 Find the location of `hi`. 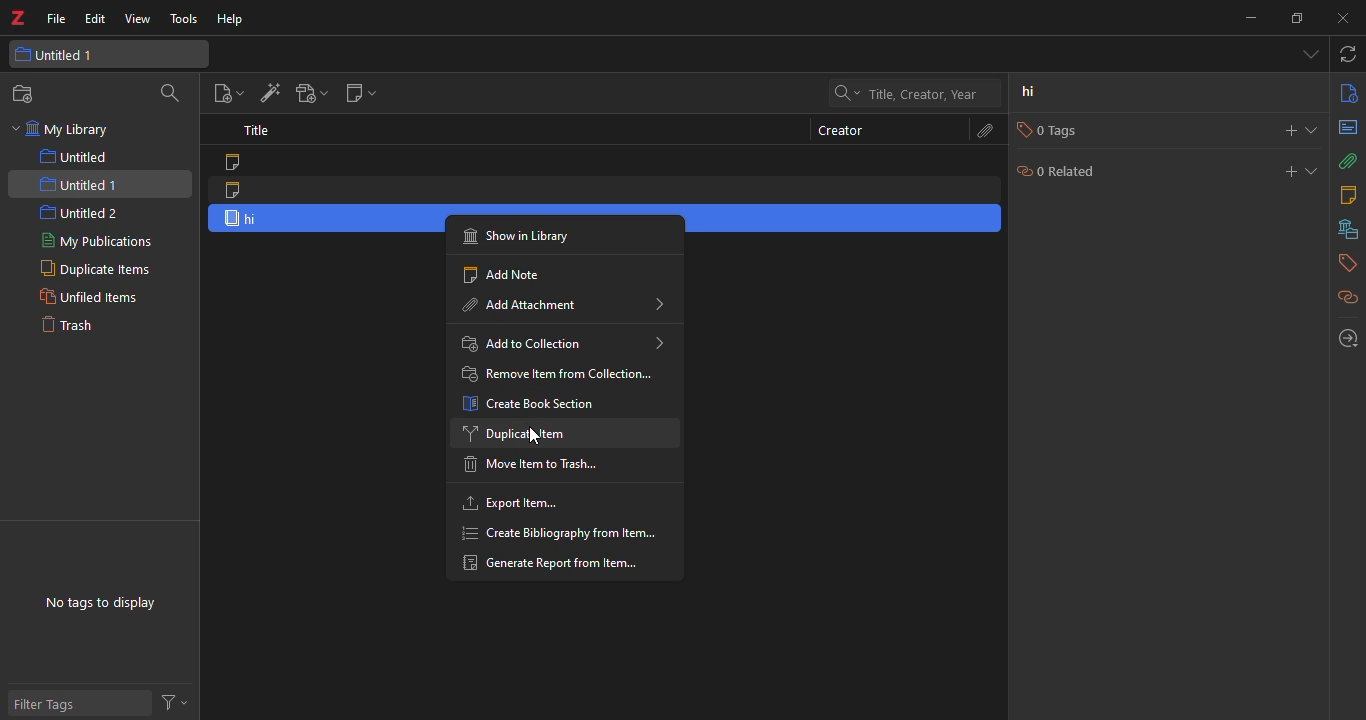

hi is located at coordinates (1046, 93).